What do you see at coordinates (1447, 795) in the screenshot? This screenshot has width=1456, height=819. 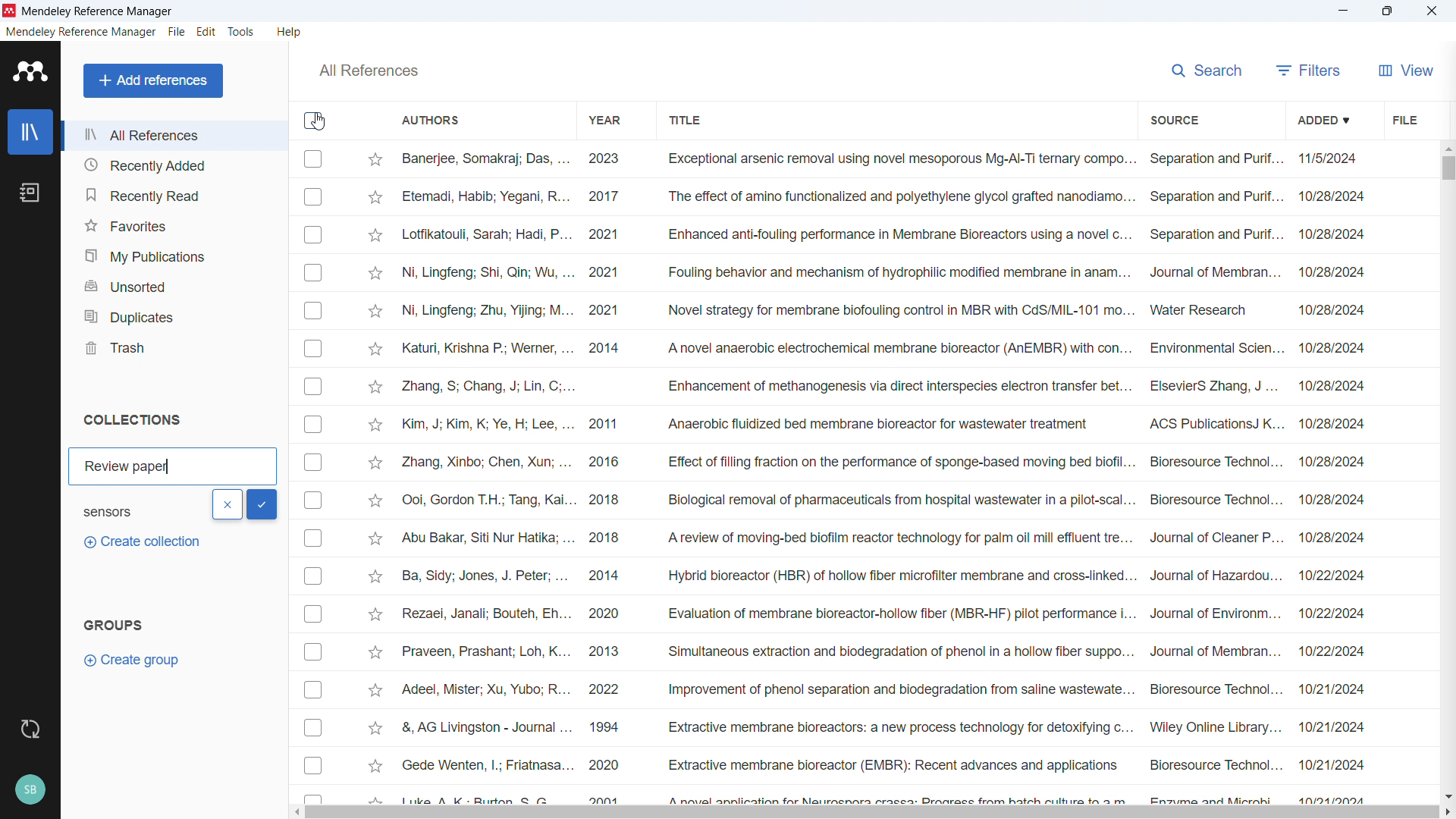 I see `Scroll down ` at bounding box center [1447, 795].